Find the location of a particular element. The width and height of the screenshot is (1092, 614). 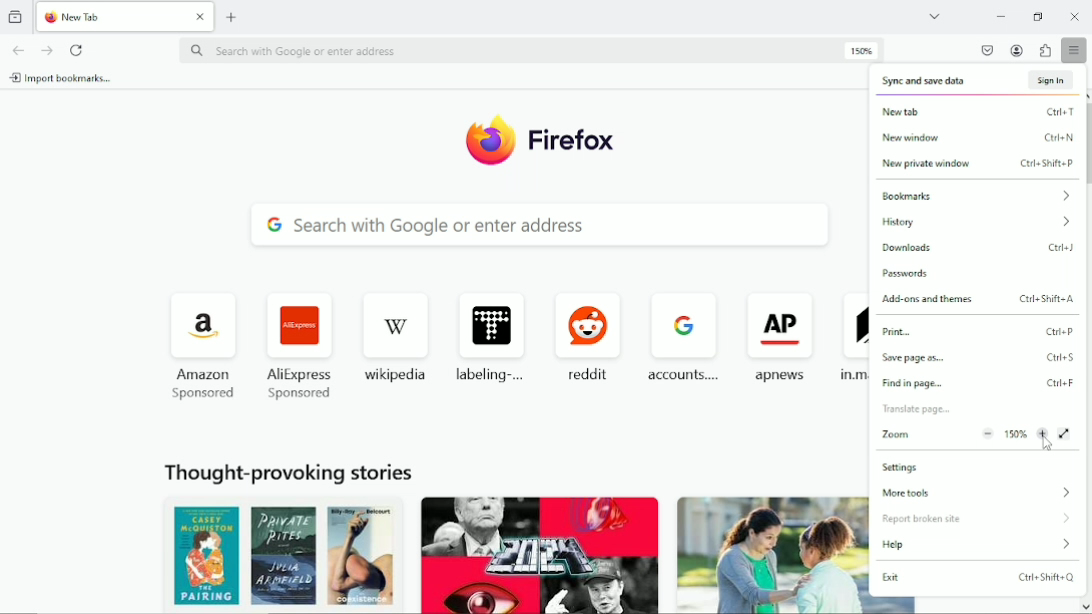

Add-ons and themes is located at coordinates (977, 299).